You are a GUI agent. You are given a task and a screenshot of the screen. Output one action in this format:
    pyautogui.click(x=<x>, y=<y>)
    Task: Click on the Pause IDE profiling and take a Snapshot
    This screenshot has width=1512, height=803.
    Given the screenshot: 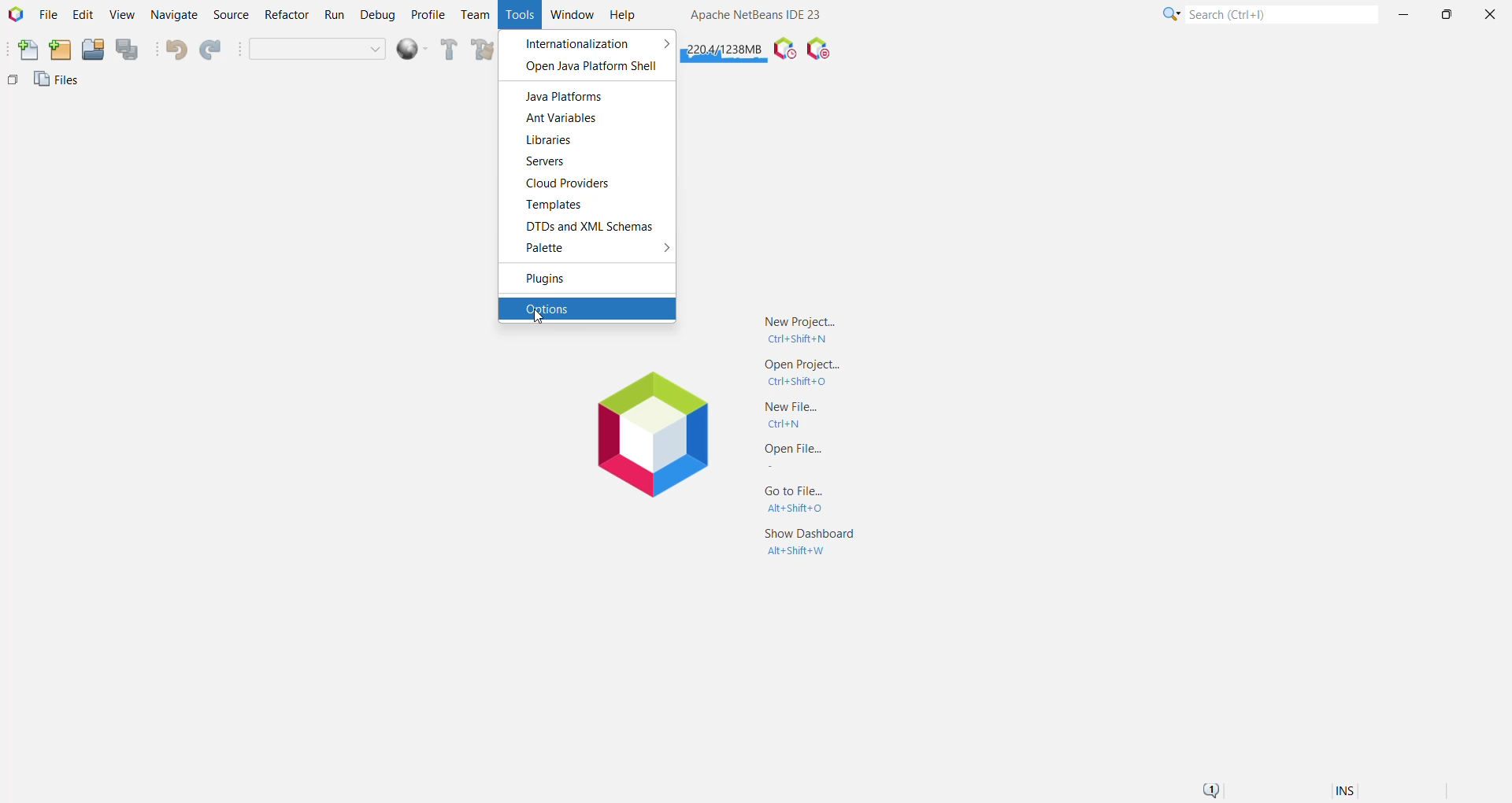 What is the action you would take?
    pyautogui.click(x=785, y=50)
    